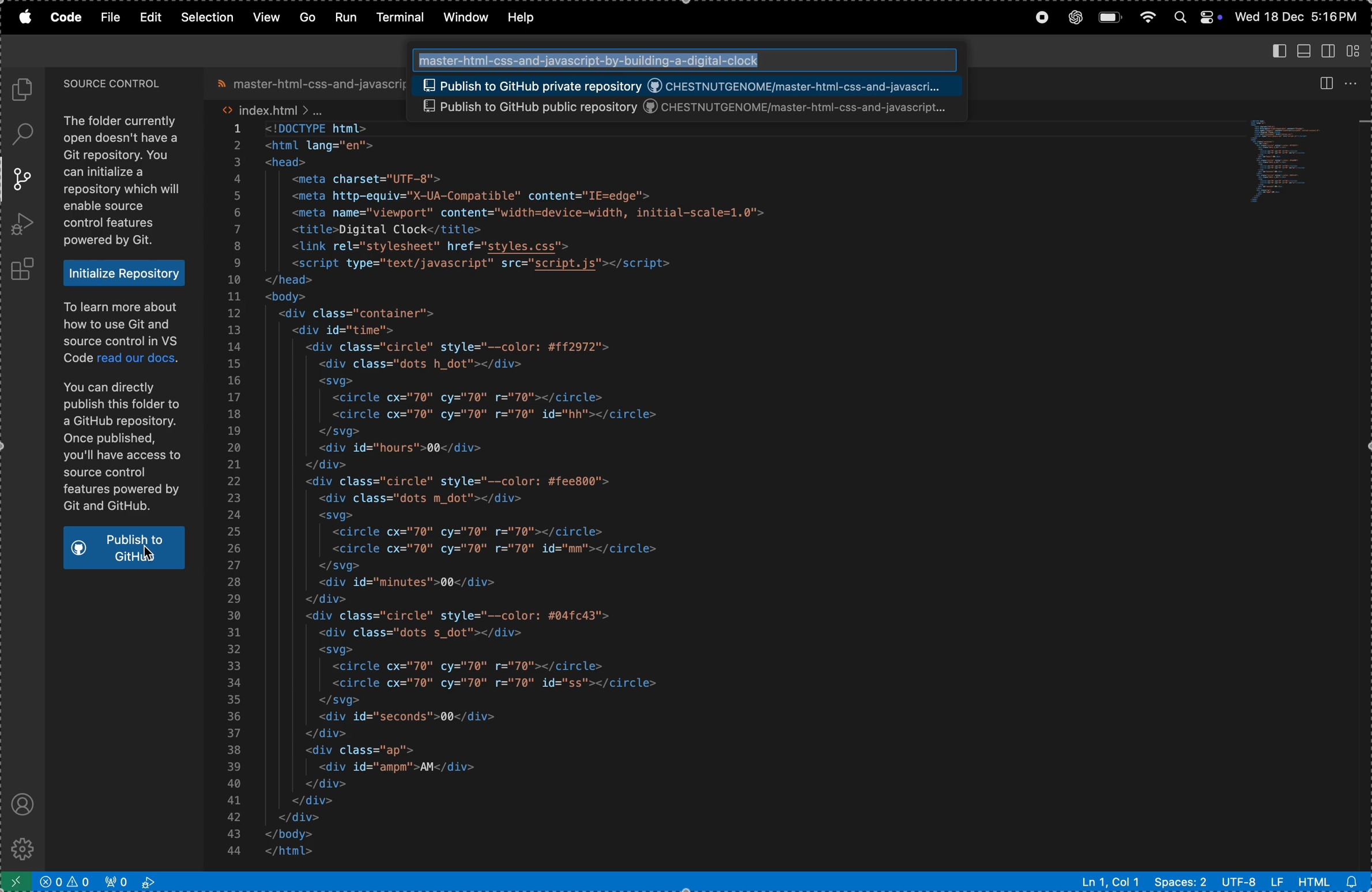  Describe the element at coordinates (338, 566) in the screenshot. I see `</svg>` at that location.